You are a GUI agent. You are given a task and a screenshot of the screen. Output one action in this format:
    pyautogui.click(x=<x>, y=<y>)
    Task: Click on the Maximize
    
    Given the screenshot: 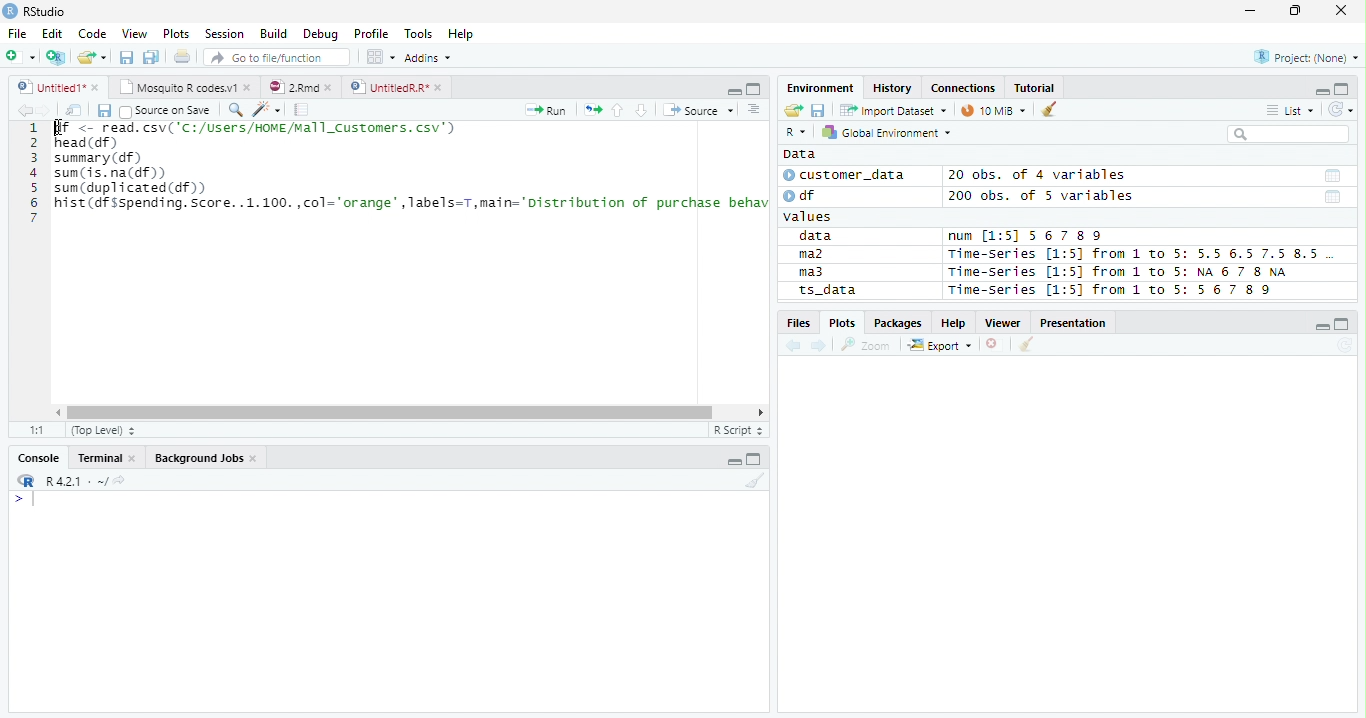 What is the action you would take?
    pyautogui.click(x=1344, y=324)
    